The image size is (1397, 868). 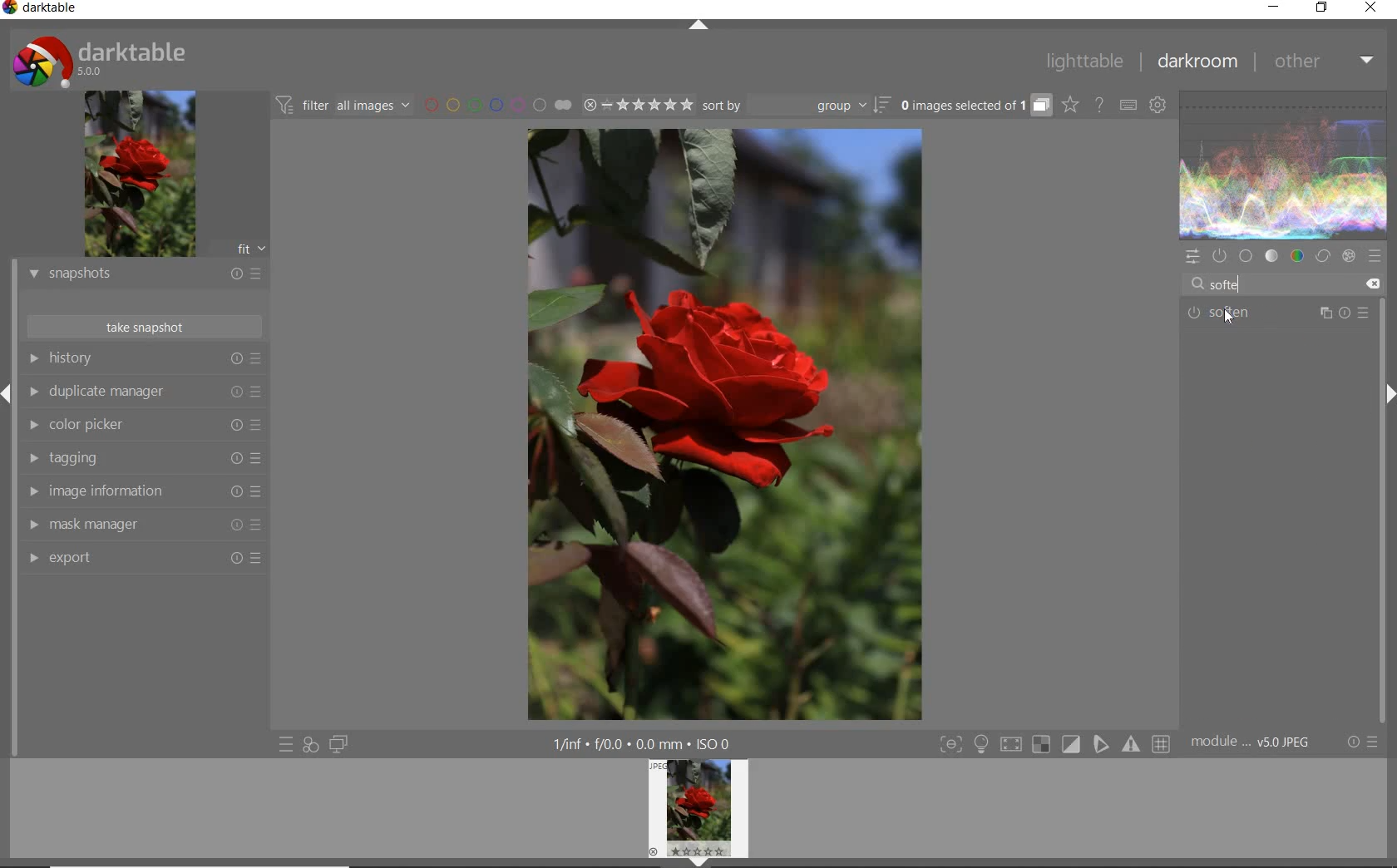 I want to click on range ratings for selected images, so click(x=638, y=105).